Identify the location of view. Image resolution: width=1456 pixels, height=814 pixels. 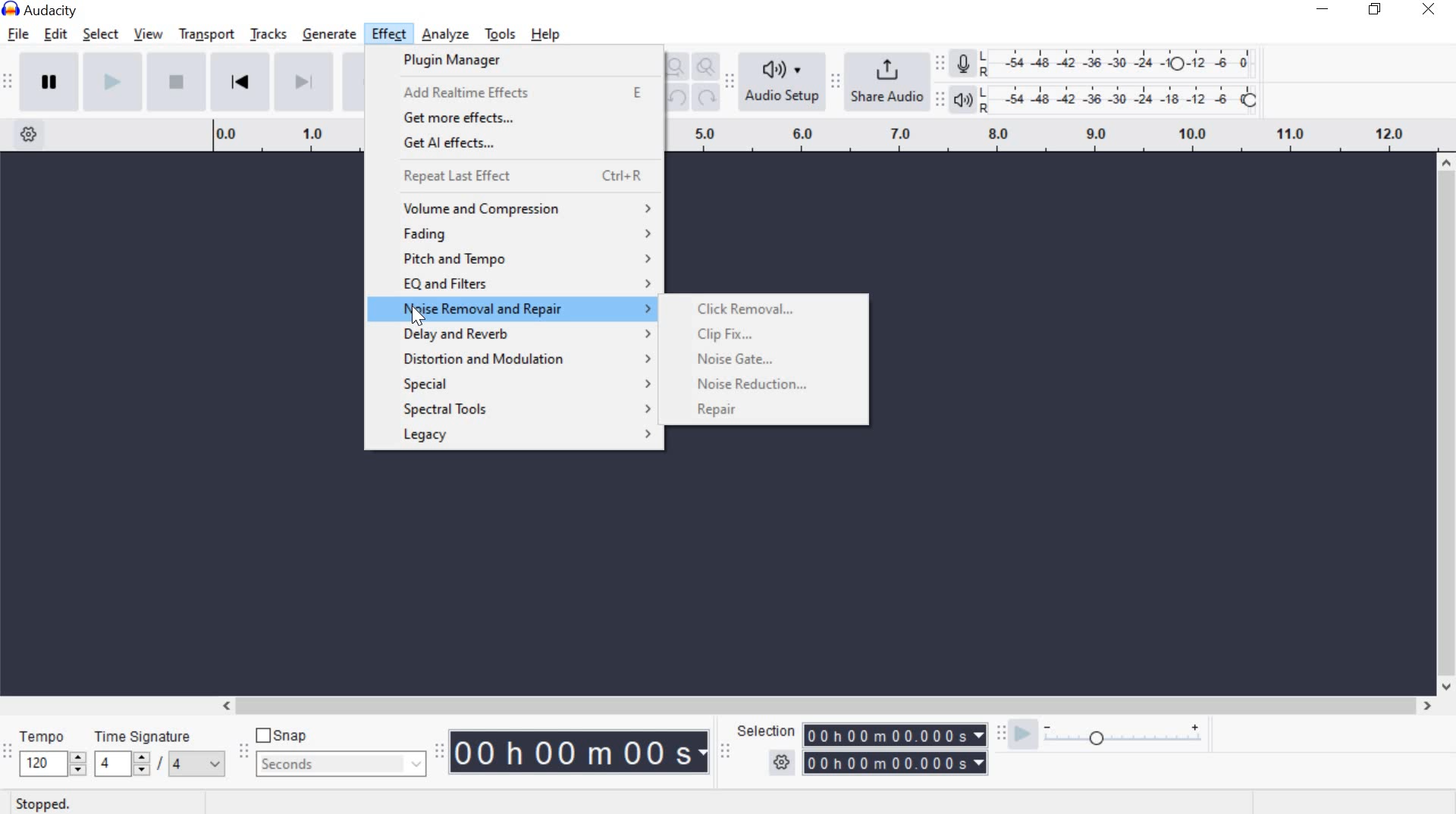
(149, 34).